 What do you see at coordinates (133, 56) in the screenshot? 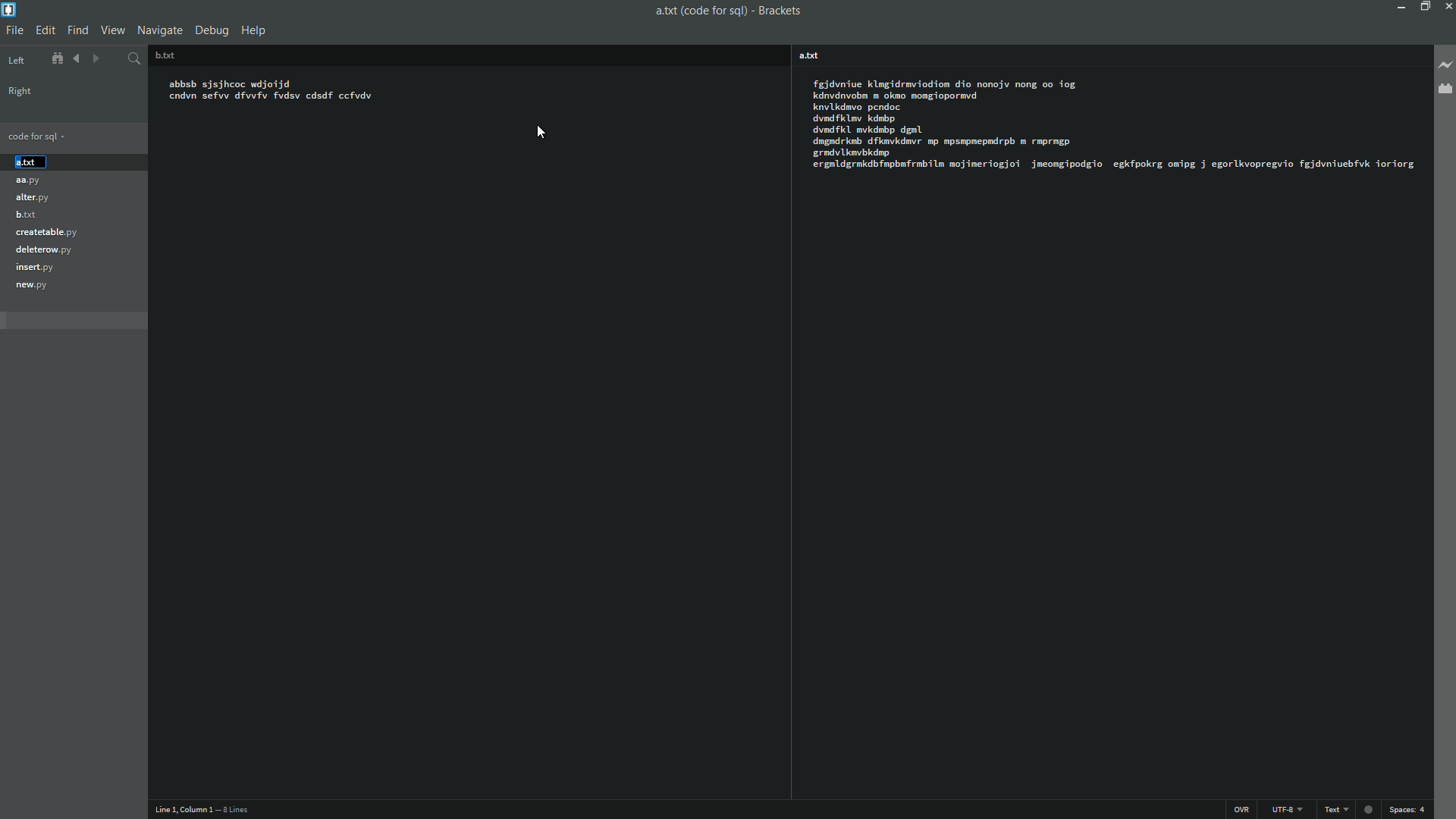
I see `Search` at bounding box center [133, 56].